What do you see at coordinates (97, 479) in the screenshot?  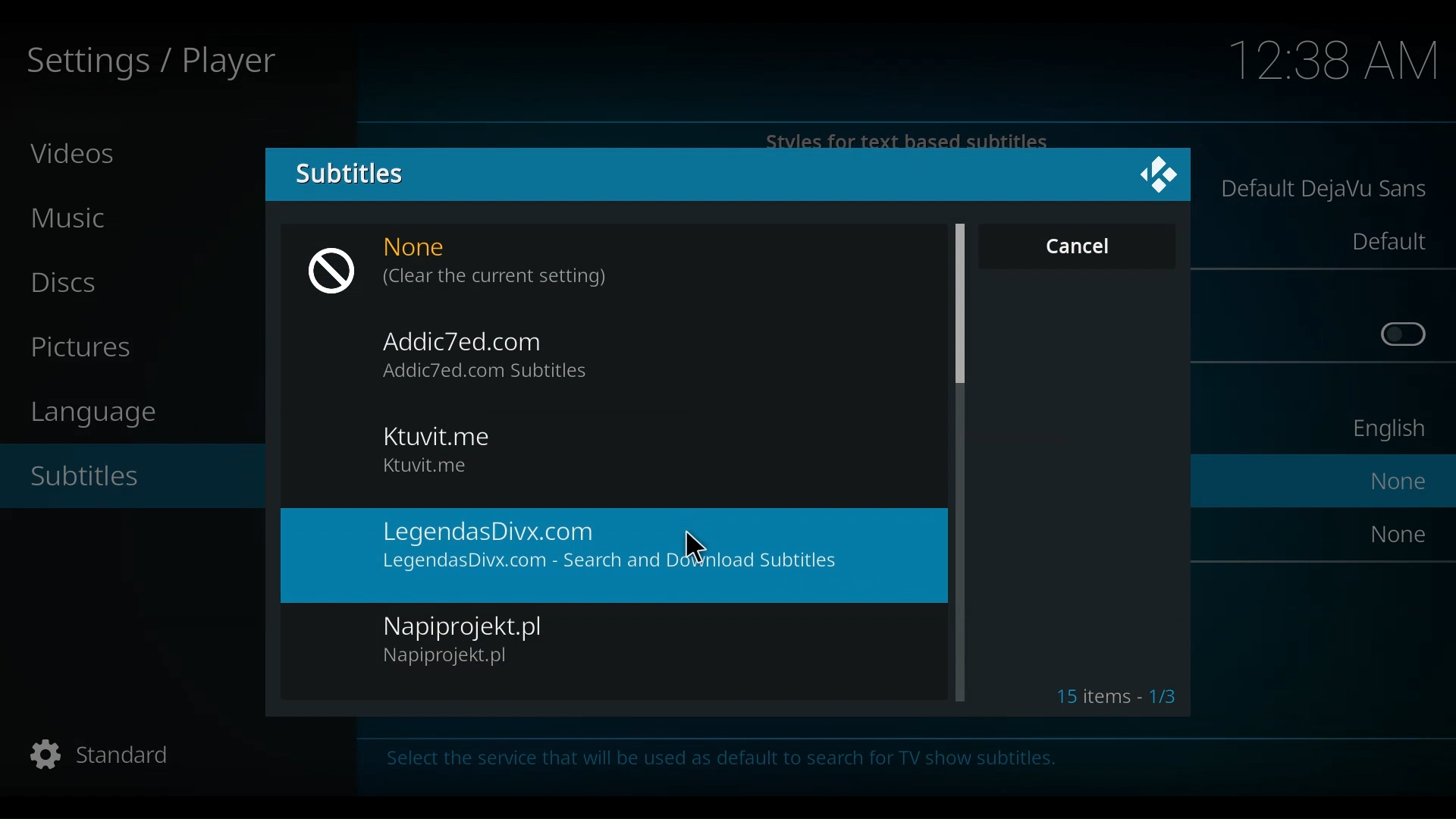 I see `Subtitles` at bounding box center [97, 479].